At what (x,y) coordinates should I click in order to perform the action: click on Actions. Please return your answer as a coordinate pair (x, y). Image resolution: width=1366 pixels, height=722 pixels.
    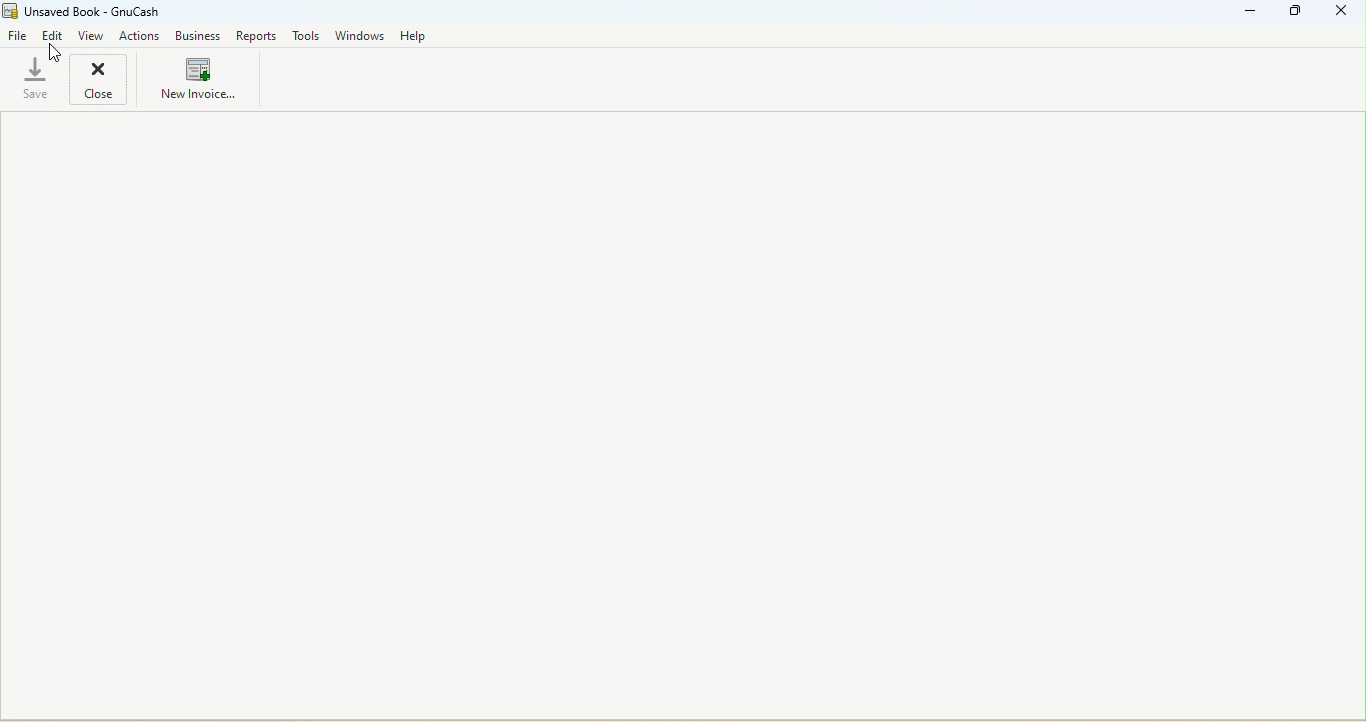
    Looking at the image, I should click on (140, 37).